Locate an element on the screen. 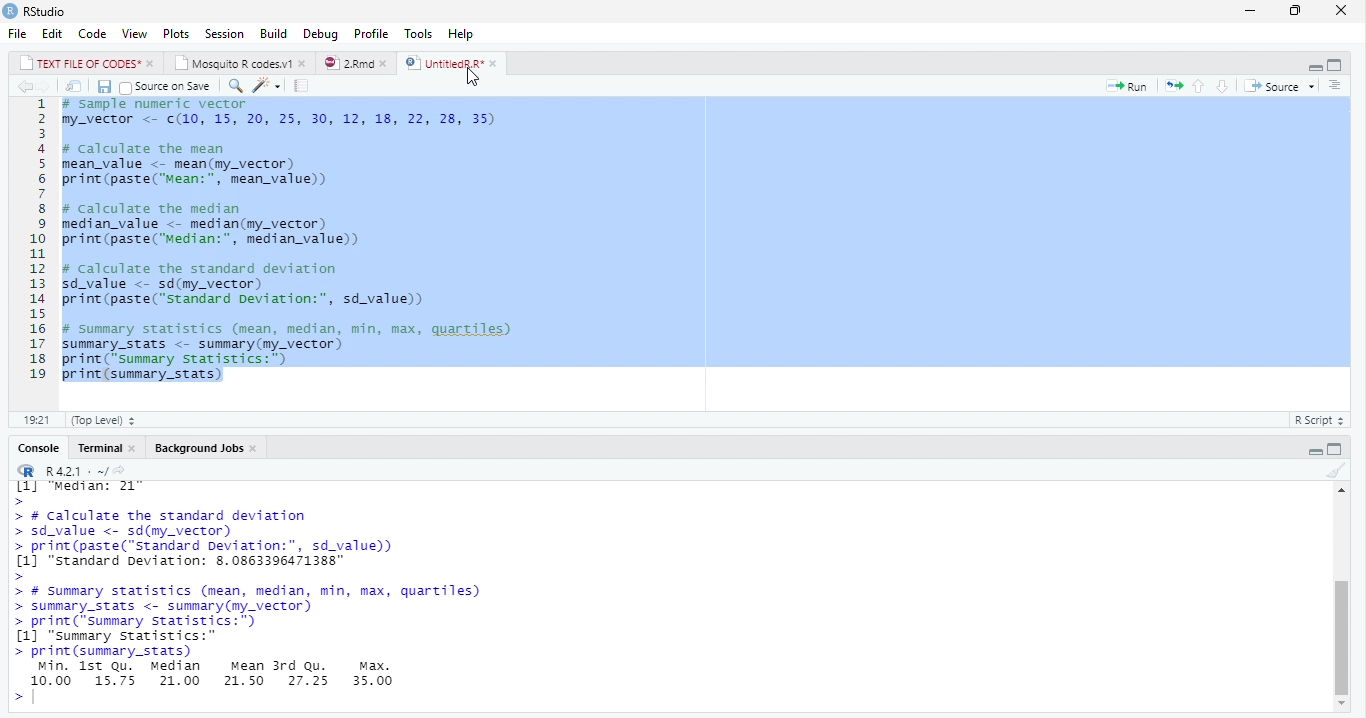  next section is located at coordinates (1222, 87).